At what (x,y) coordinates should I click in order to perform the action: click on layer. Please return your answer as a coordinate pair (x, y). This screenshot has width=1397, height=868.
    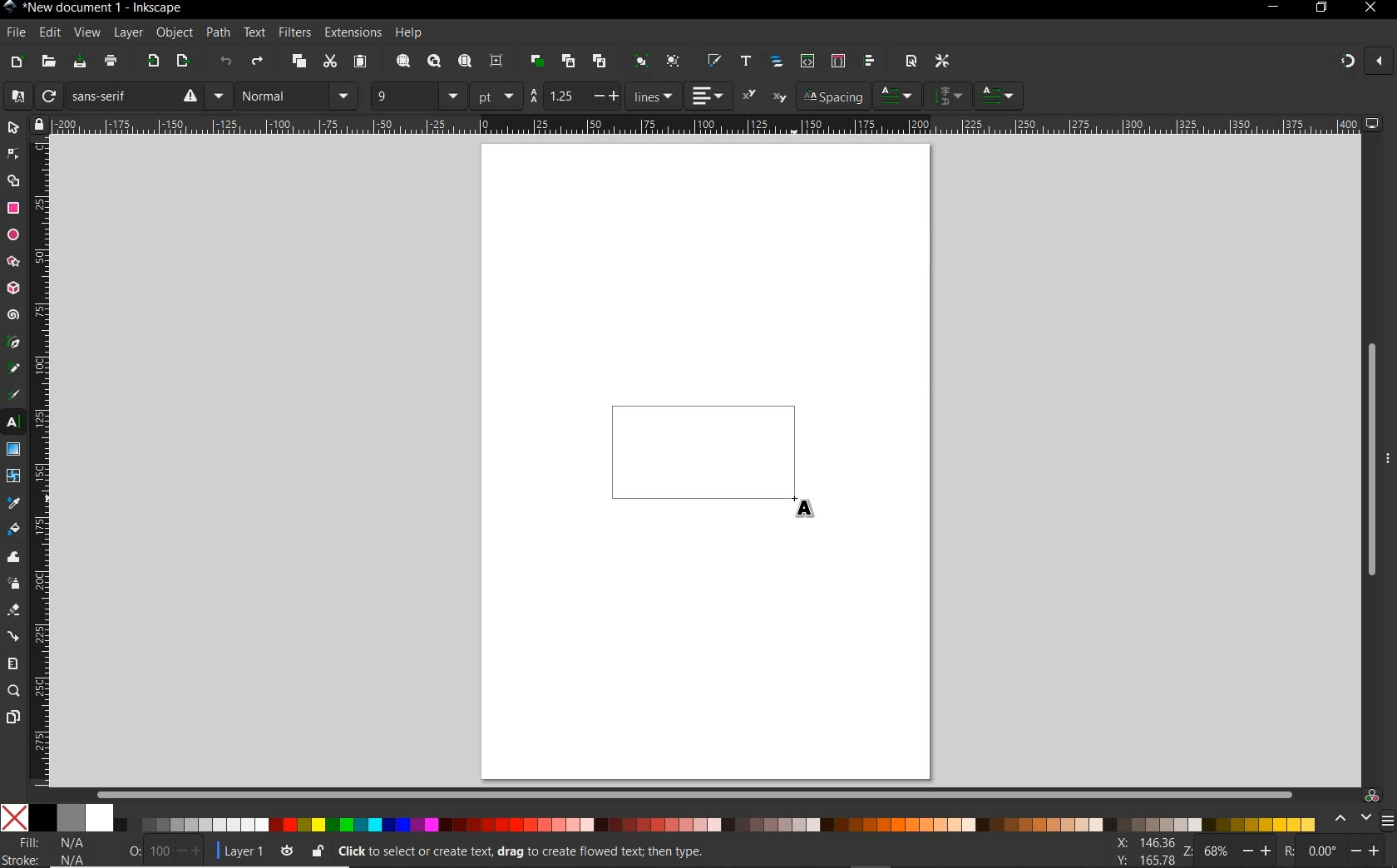
    Looking at the image, I should click on (124, 32).